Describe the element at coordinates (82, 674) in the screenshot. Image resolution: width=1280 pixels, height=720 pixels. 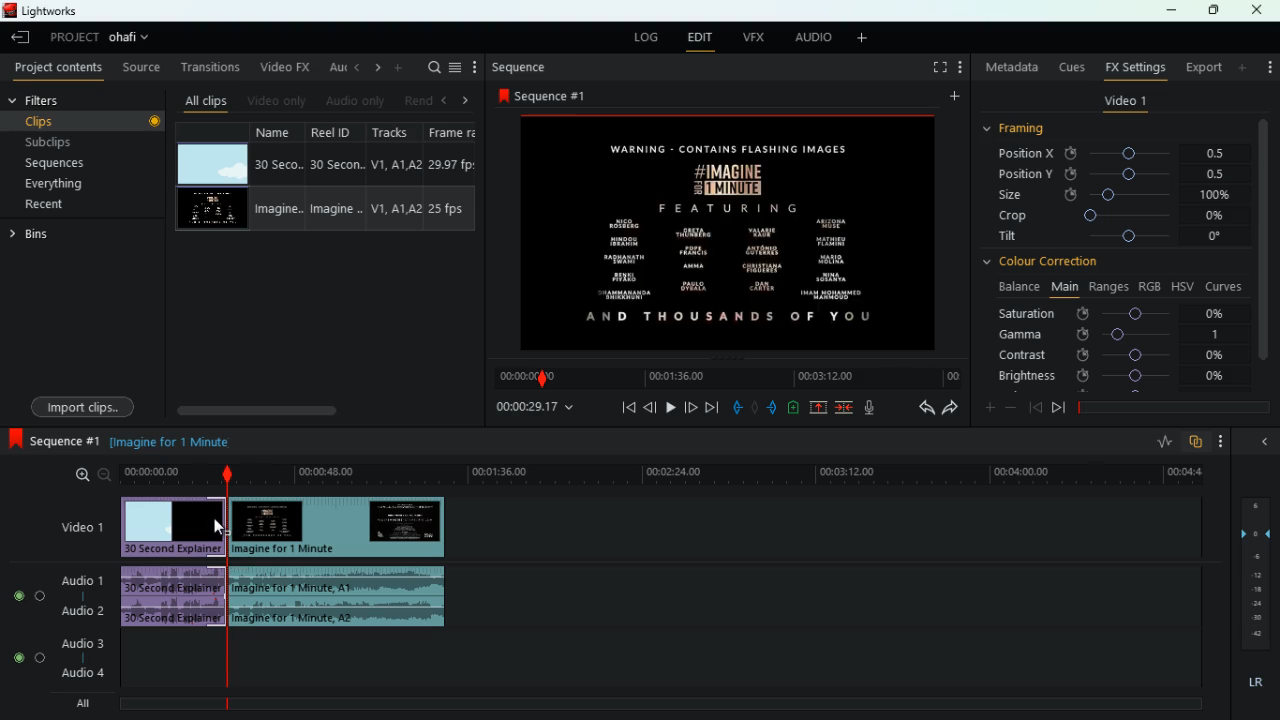
I see `audio 4` at that location.